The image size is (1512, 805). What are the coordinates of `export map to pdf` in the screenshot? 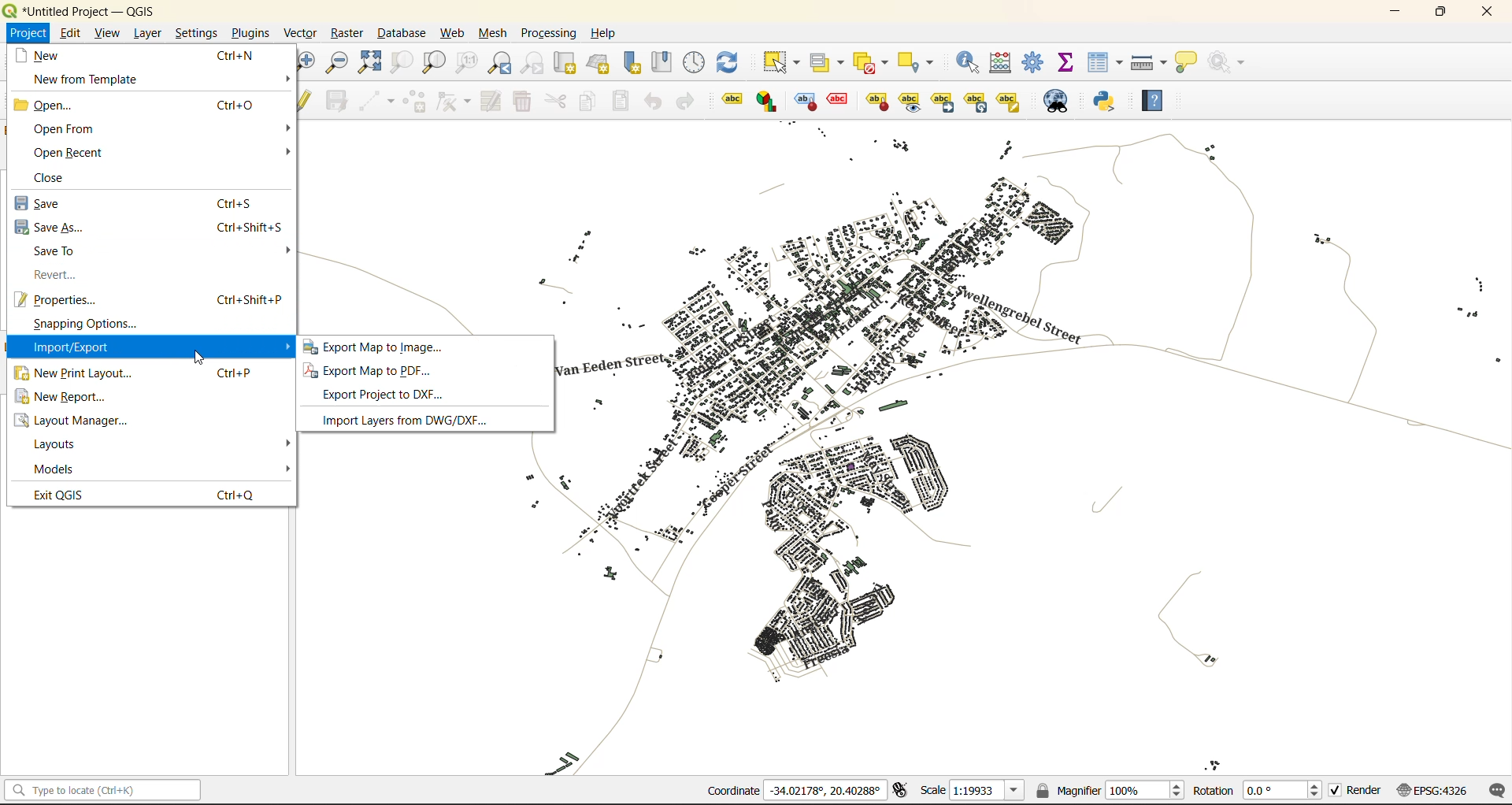 It's located at (376, 372).